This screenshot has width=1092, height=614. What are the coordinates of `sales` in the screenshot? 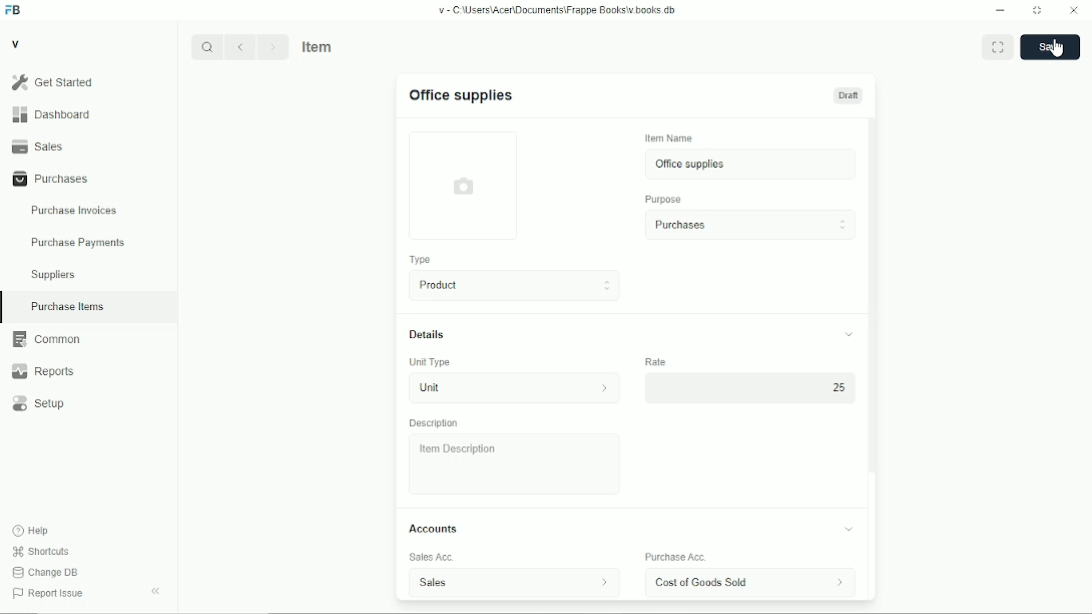 It's located at (481, 583).